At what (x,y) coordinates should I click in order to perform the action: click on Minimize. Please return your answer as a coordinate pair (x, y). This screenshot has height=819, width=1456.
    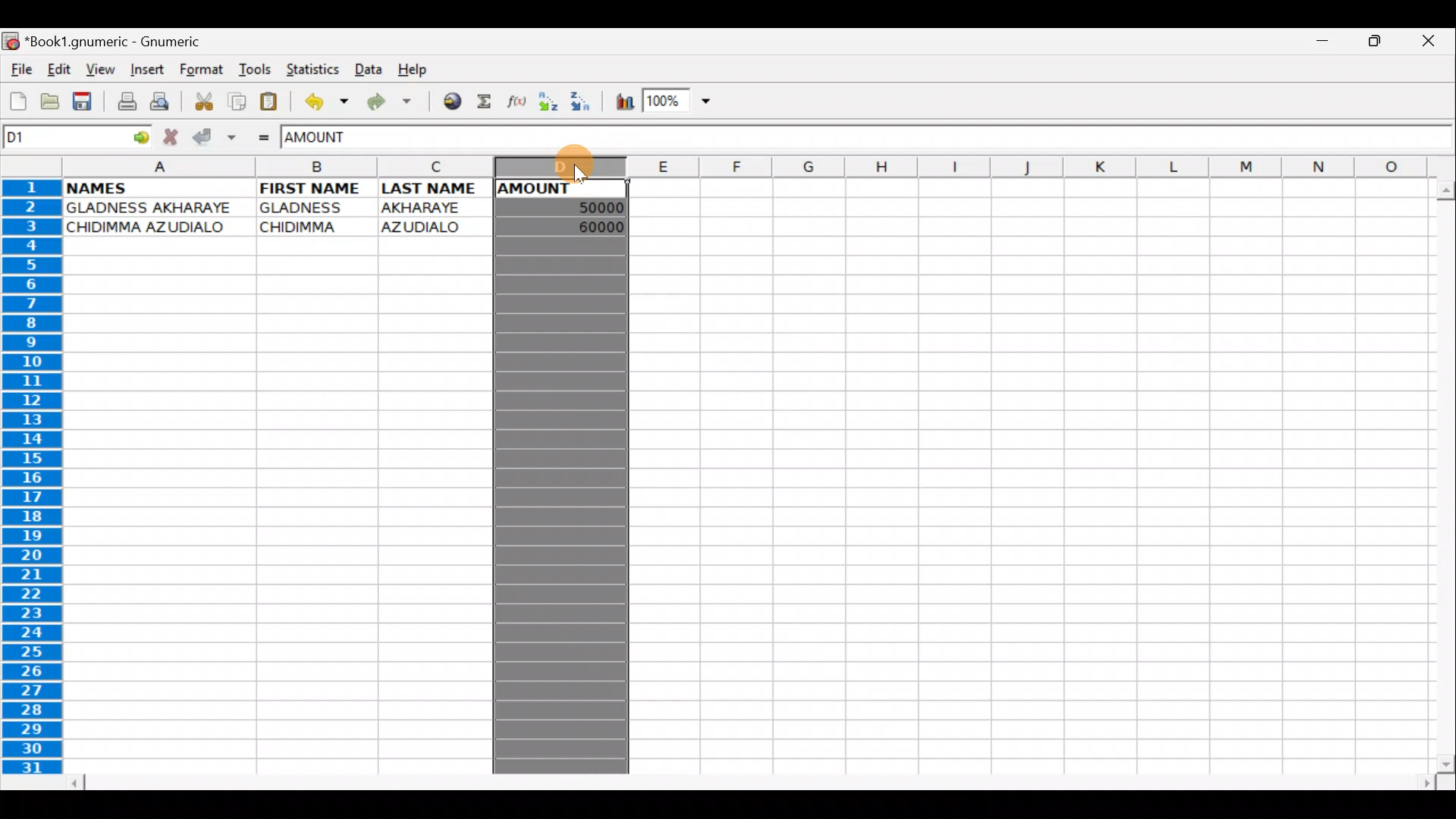
    Looking at the image, I should click on (1327, 44).